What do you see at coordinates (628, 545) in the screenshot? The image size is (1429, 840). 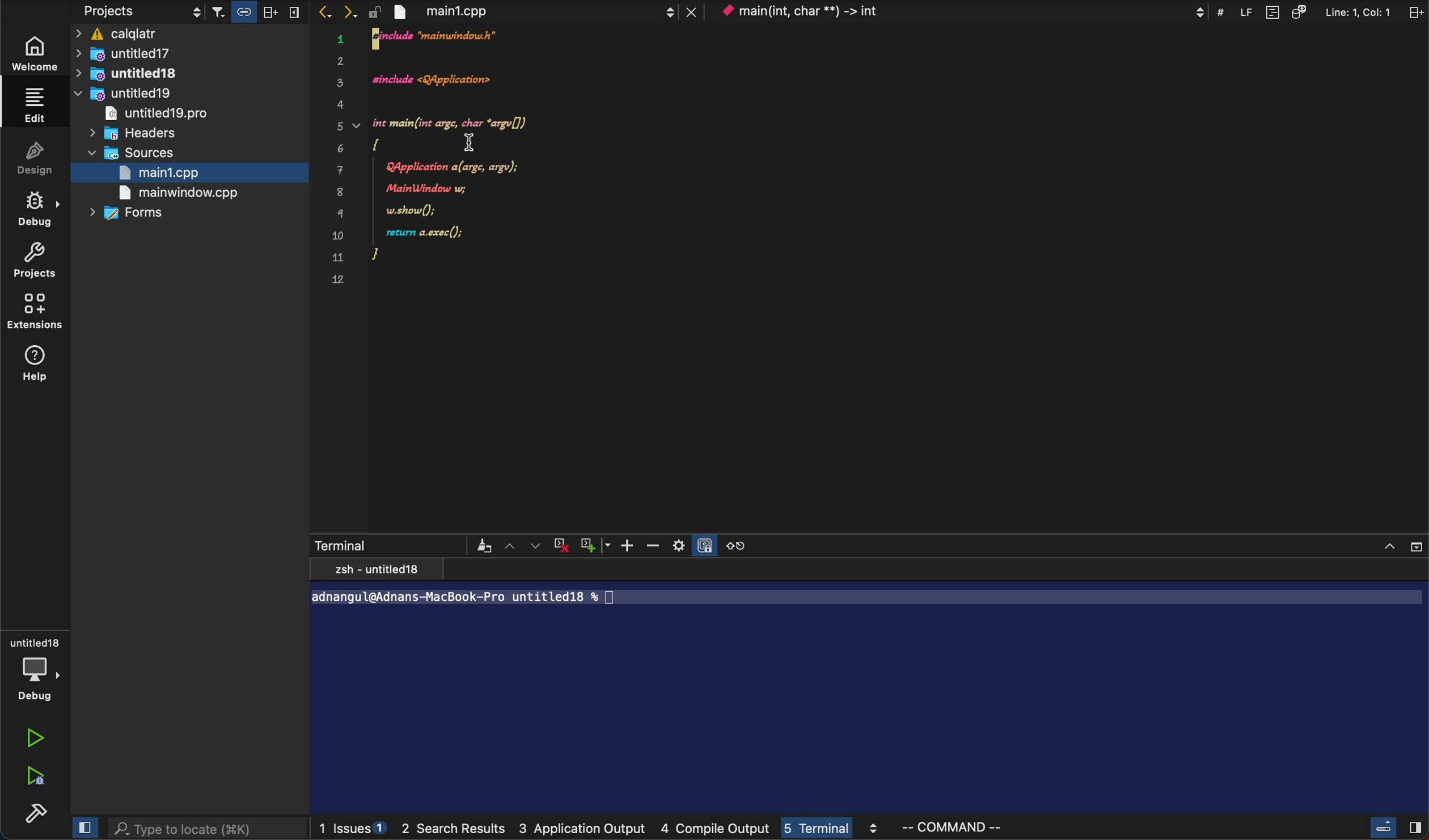 I see `zoom in` at bounding box center [628, 545].